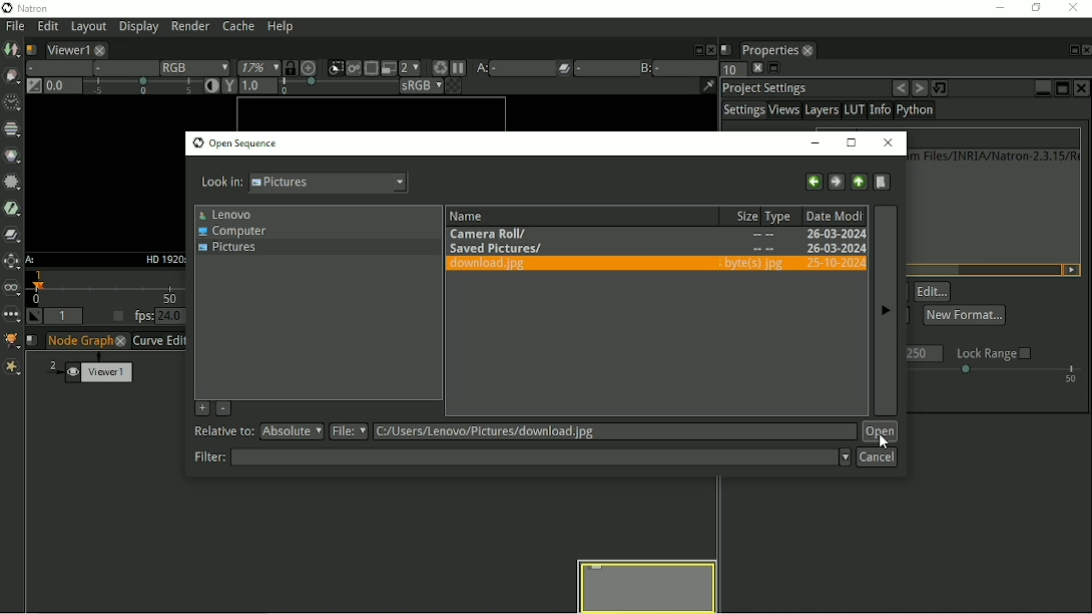 This screenshot has height=614, width=1092. I want to click on GMIC, so click(11, 341).